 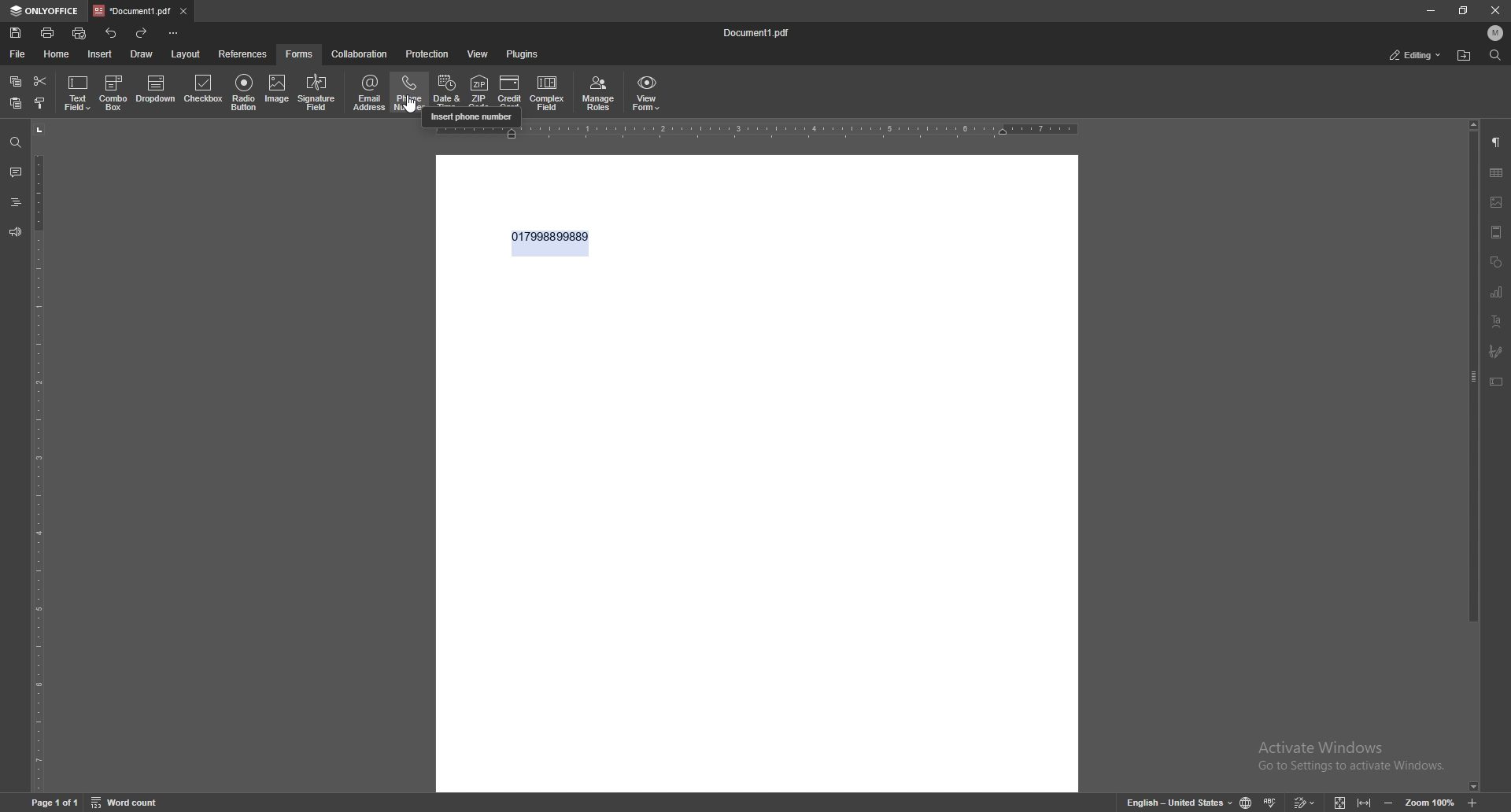 I want to click on tab, so click(x=132, y=11).